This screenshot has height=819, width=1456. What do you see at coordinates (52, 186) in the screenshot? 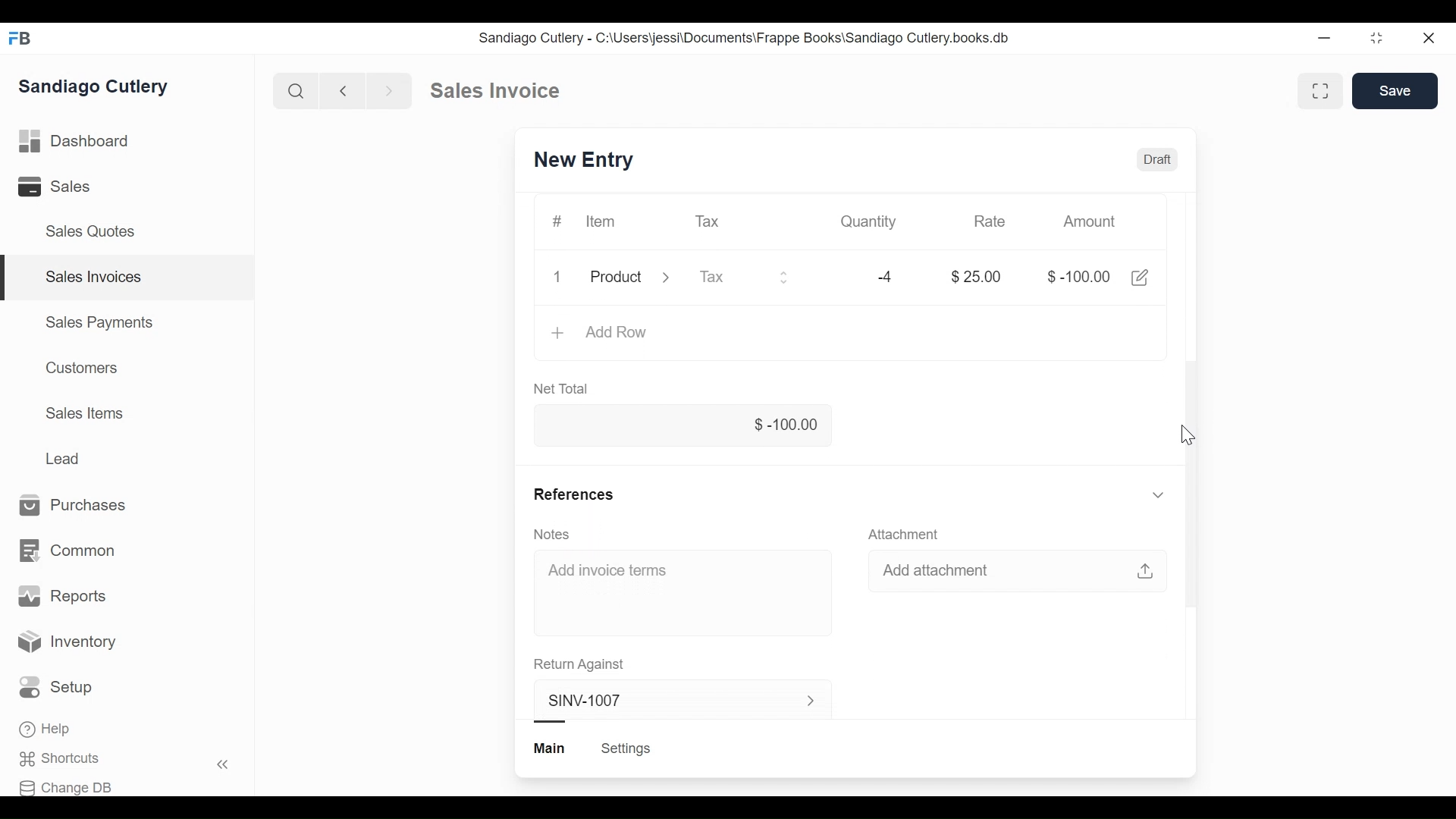
I see ` Sales` at bounding box center [52, 186].